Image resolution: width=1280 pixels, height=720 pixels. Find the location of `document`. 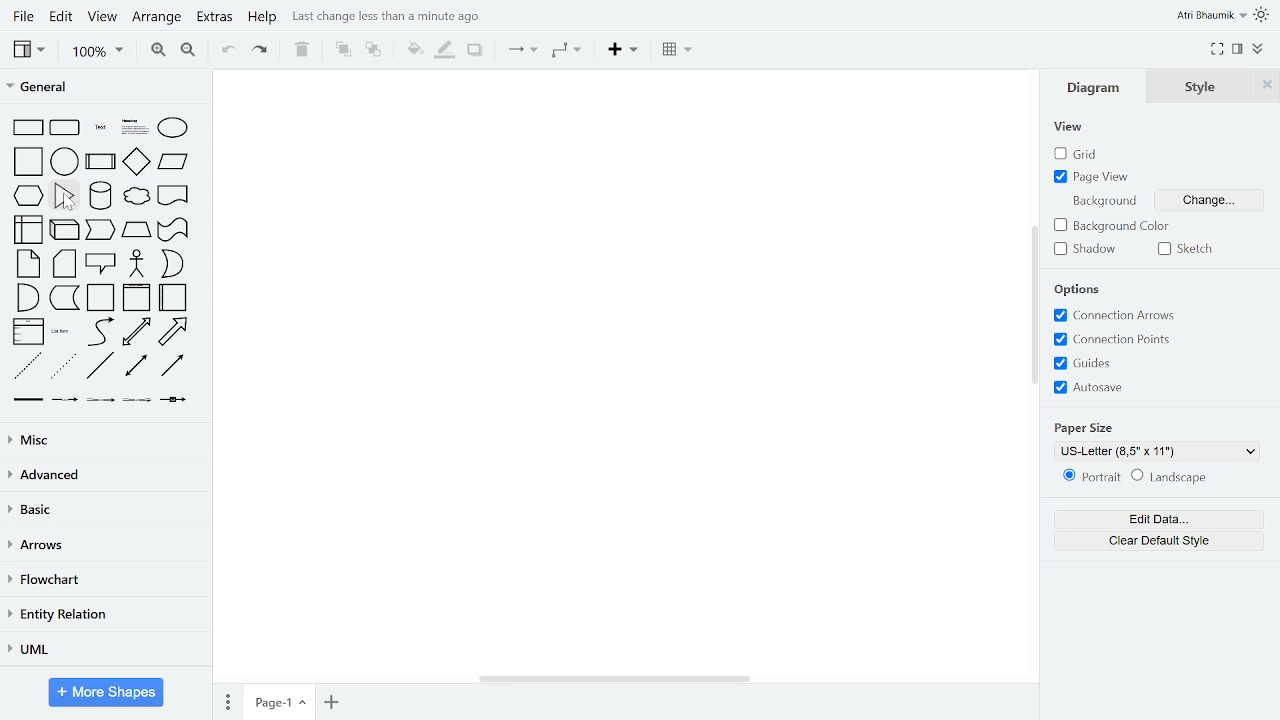

document is located at coordinates (173, 194).